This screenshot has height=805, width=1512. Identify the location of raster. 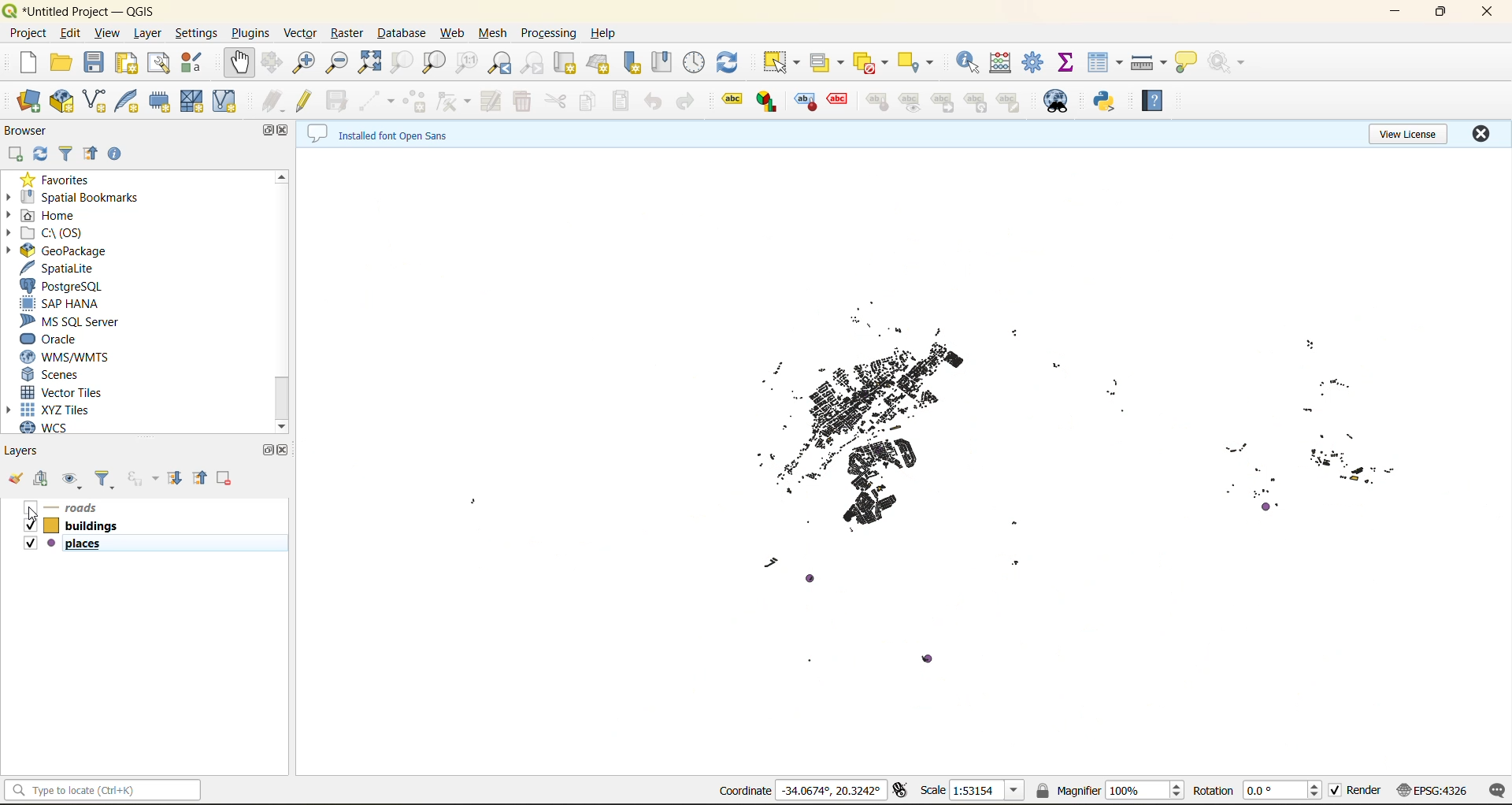
(347, 35).